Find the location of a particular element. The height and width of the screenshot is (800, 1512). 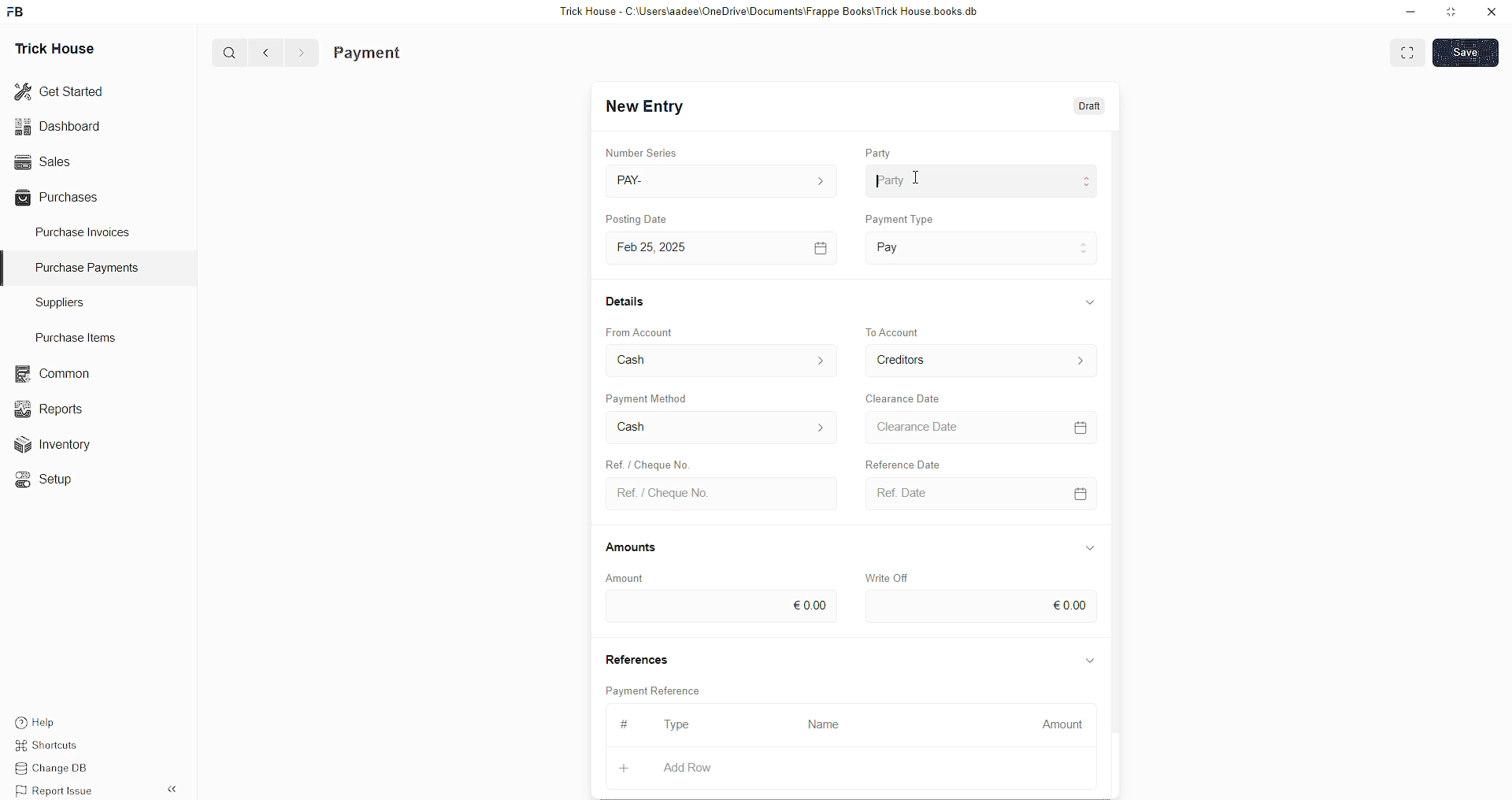

Cash is located at coordinates (637, 426).